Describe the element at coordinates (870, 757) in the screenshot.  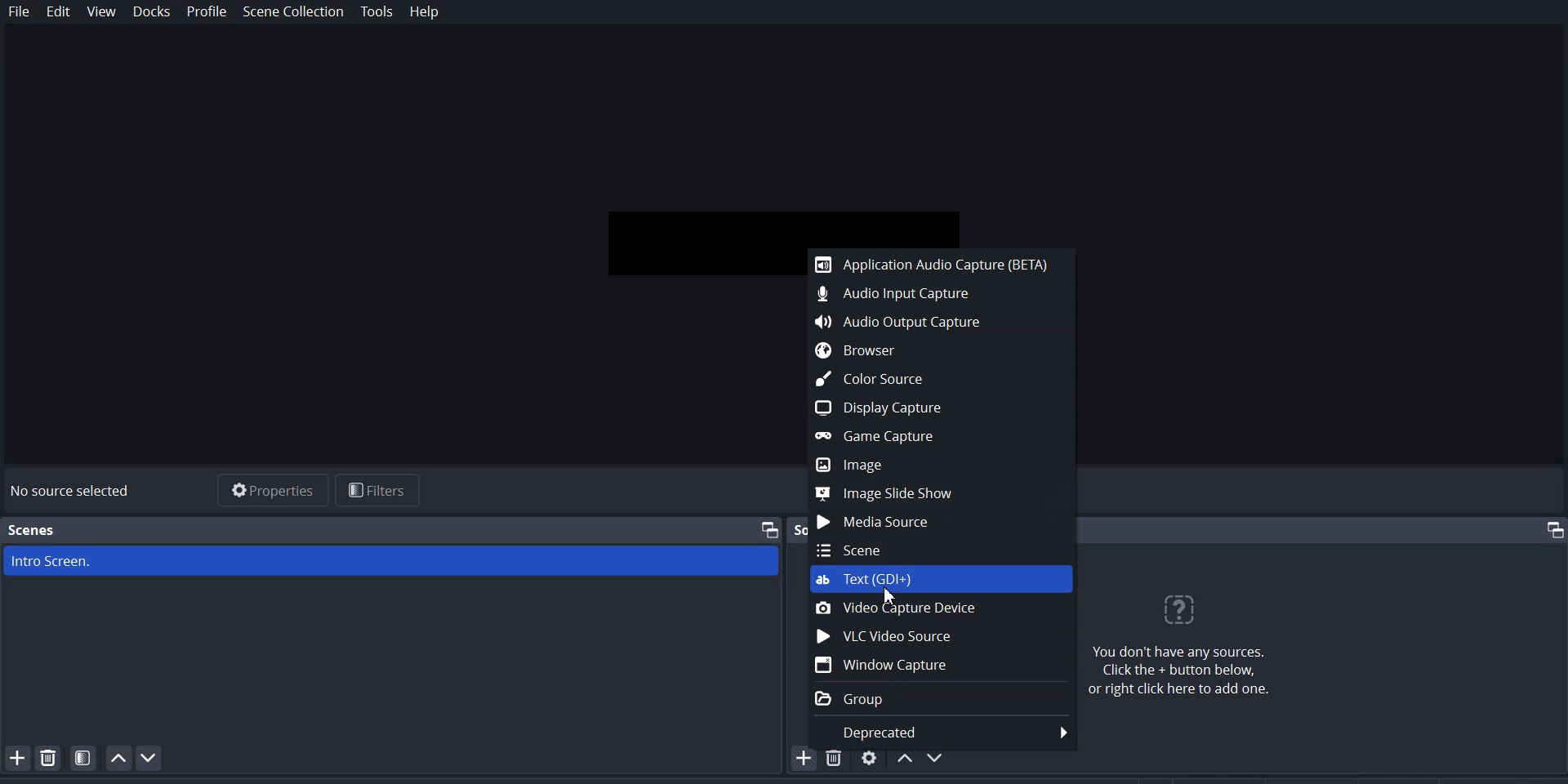
I see `open source properties` at that location.